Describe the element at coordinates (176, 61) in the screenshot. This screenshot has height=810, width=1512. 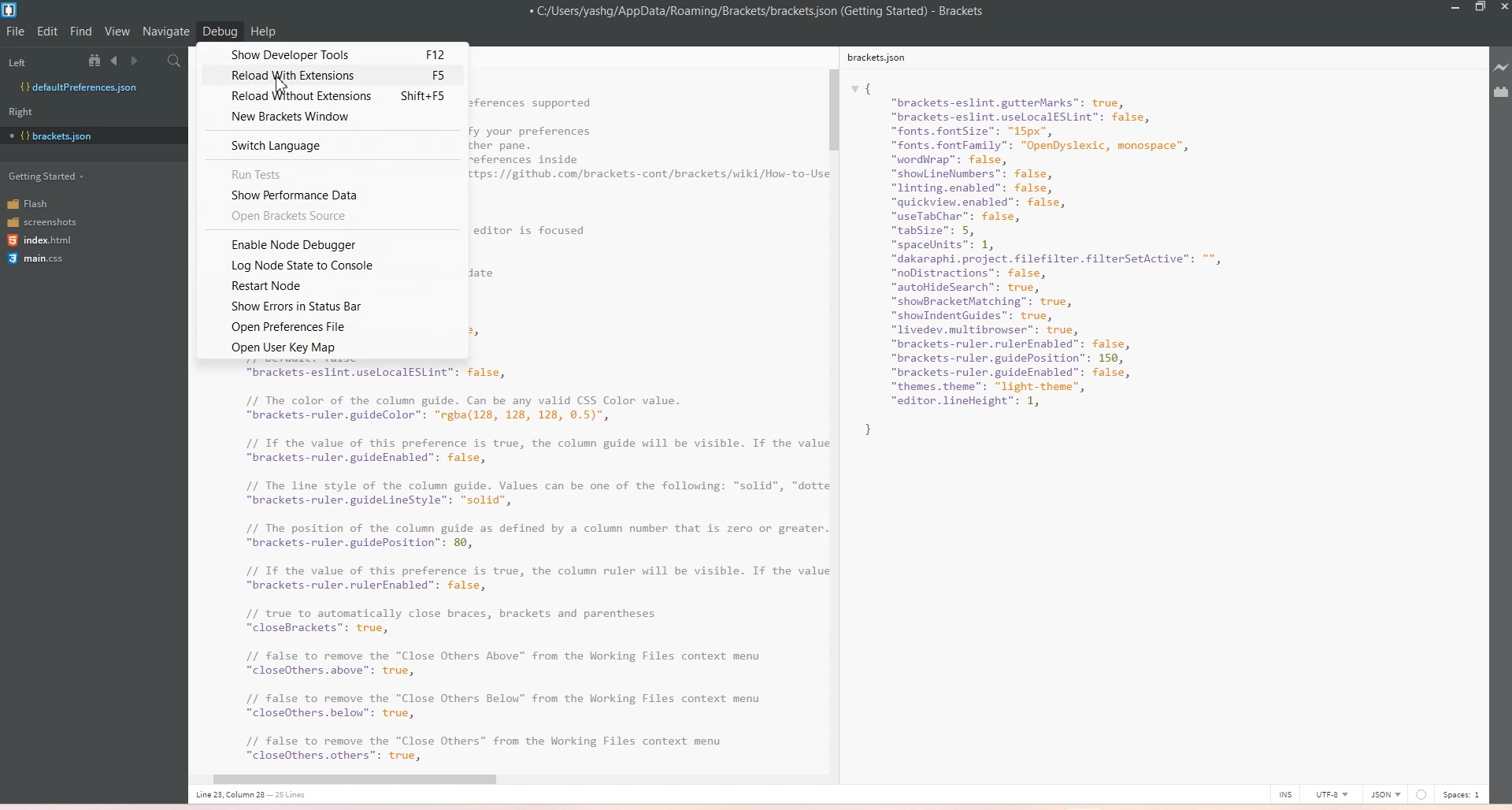
I see `Find in Files` at that location.